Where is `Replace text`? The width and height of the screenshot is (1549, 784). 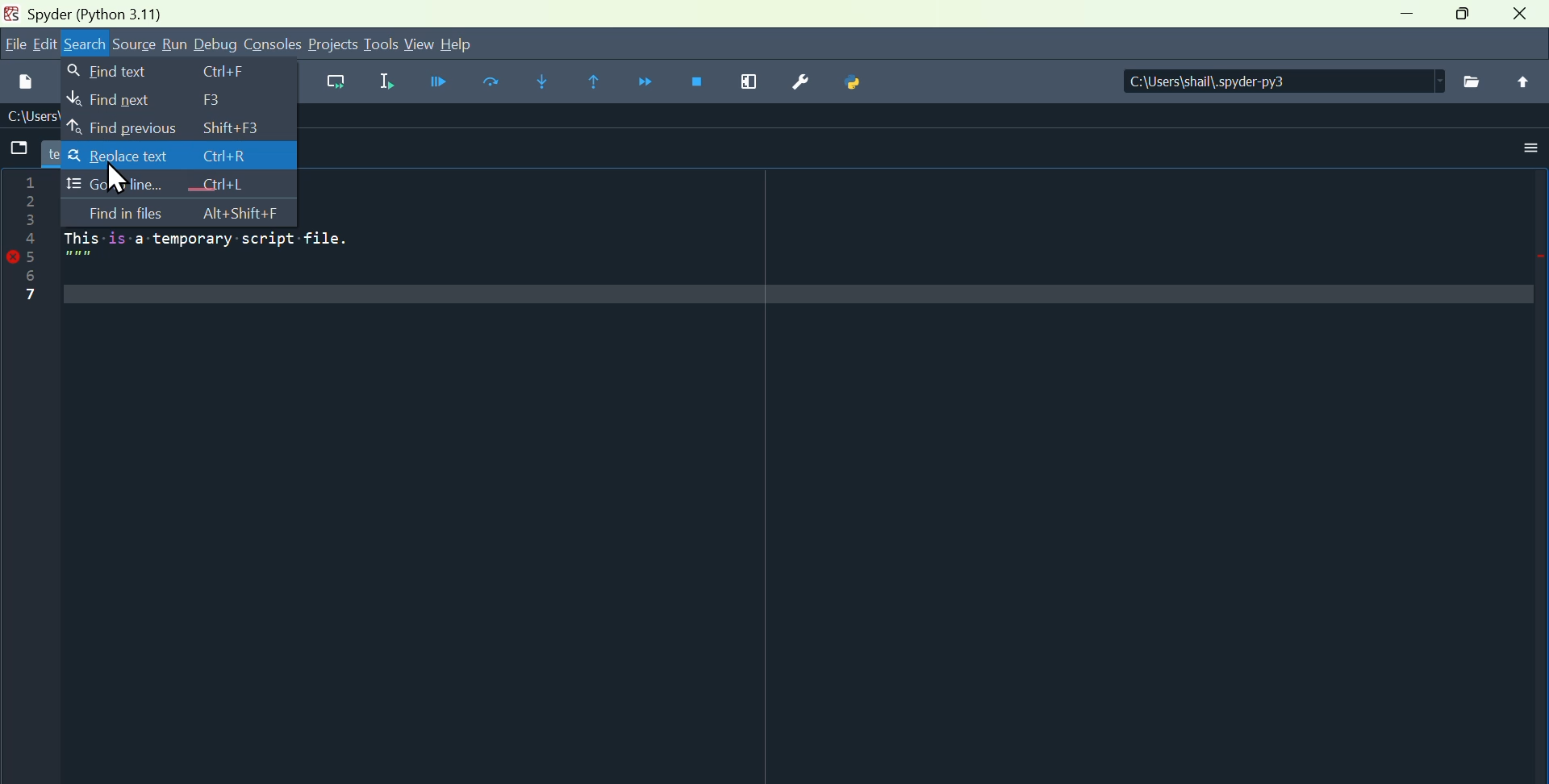
Replace text is located at coordinates (173, 156).